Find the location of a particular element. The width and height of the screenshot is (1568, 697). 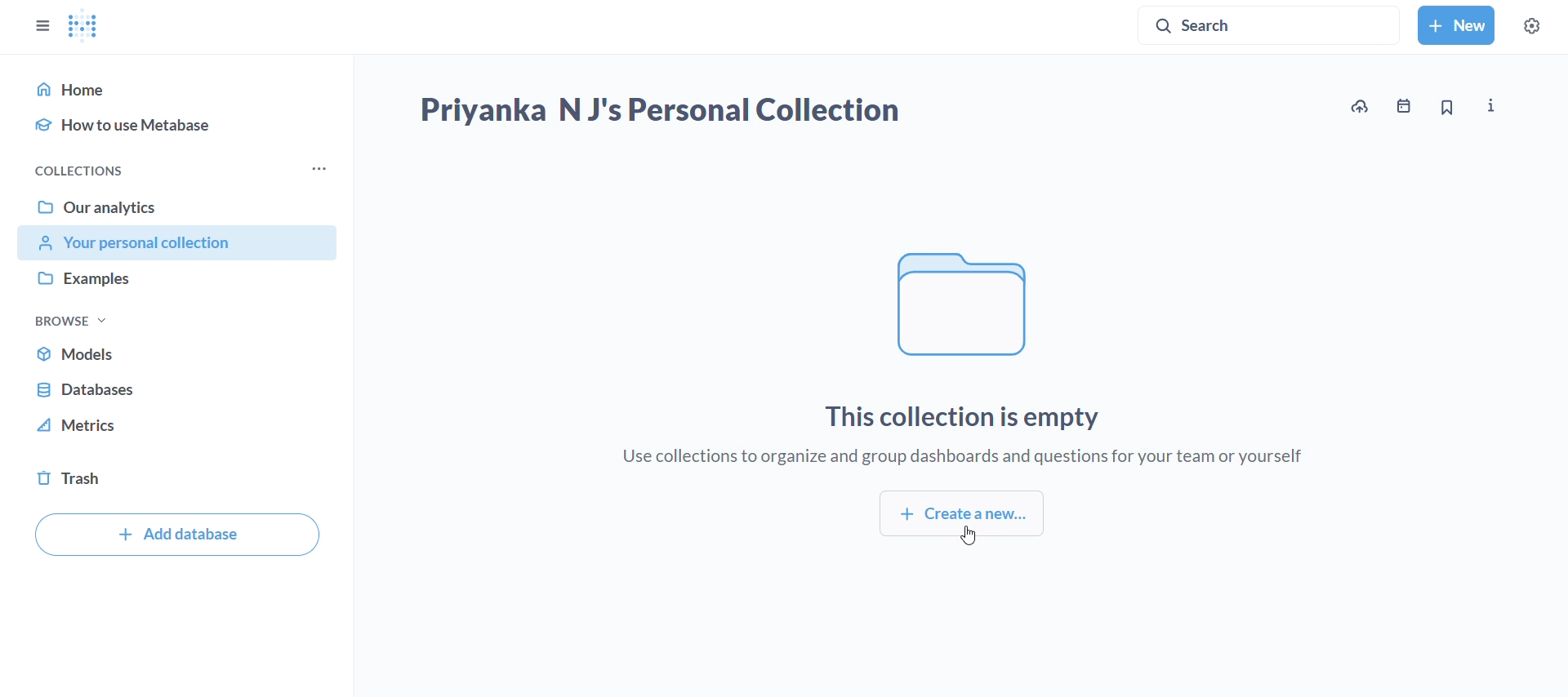

browse is located at coordinates (71, 318).